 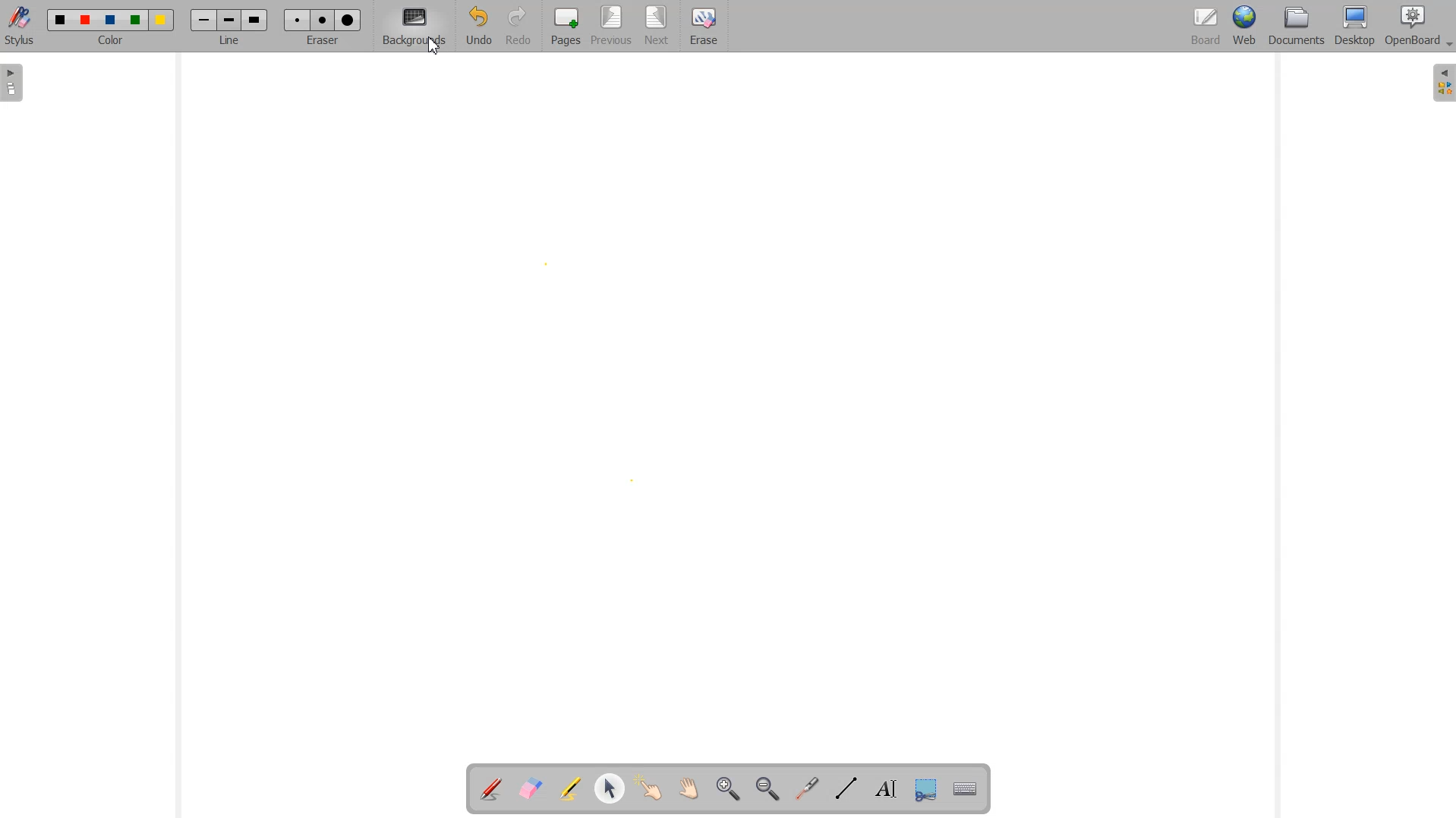 I want to click on Document, so click(x=1298, y=26).